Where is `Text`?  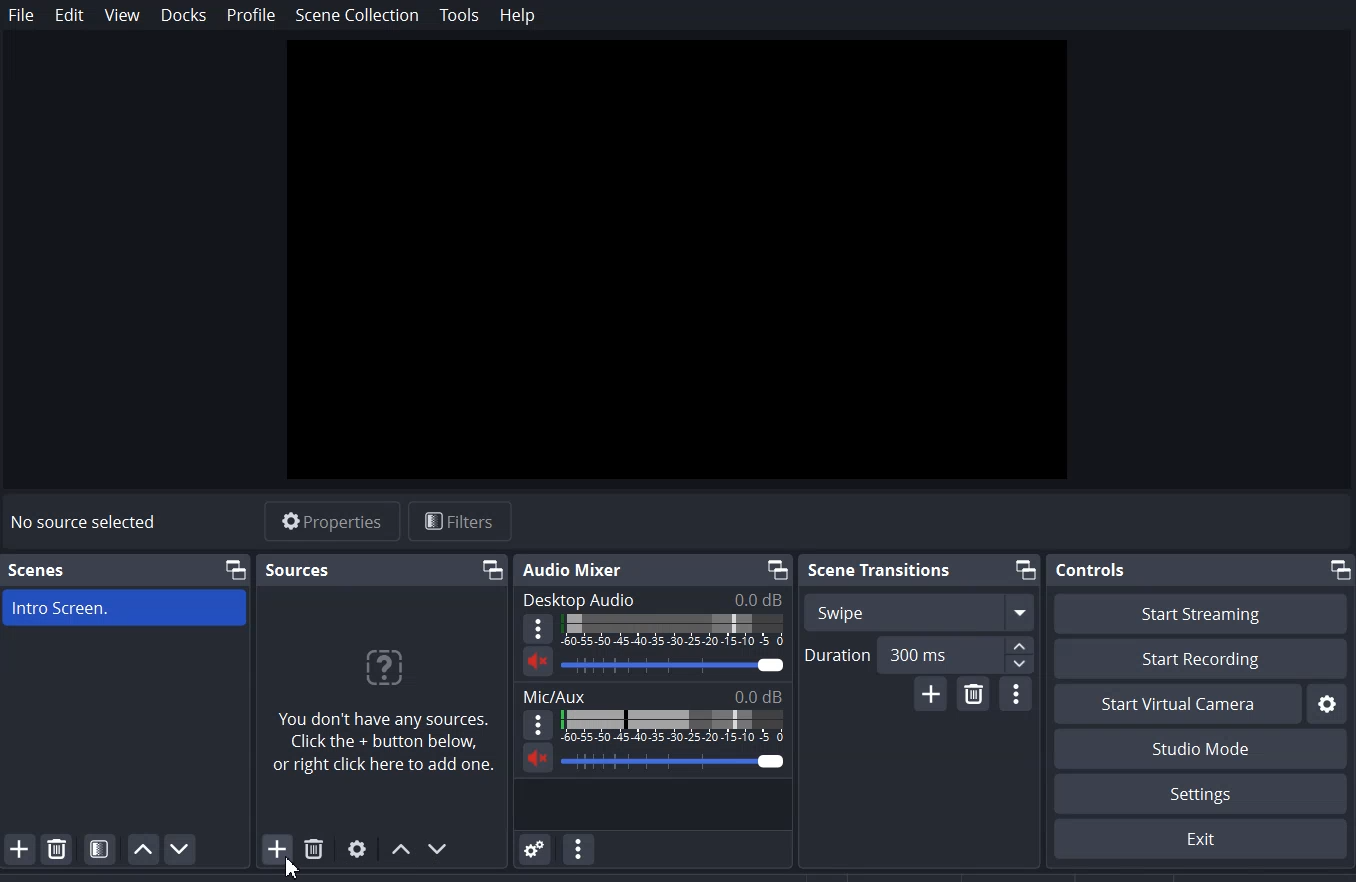
Text is located at coordinates (650, 599).